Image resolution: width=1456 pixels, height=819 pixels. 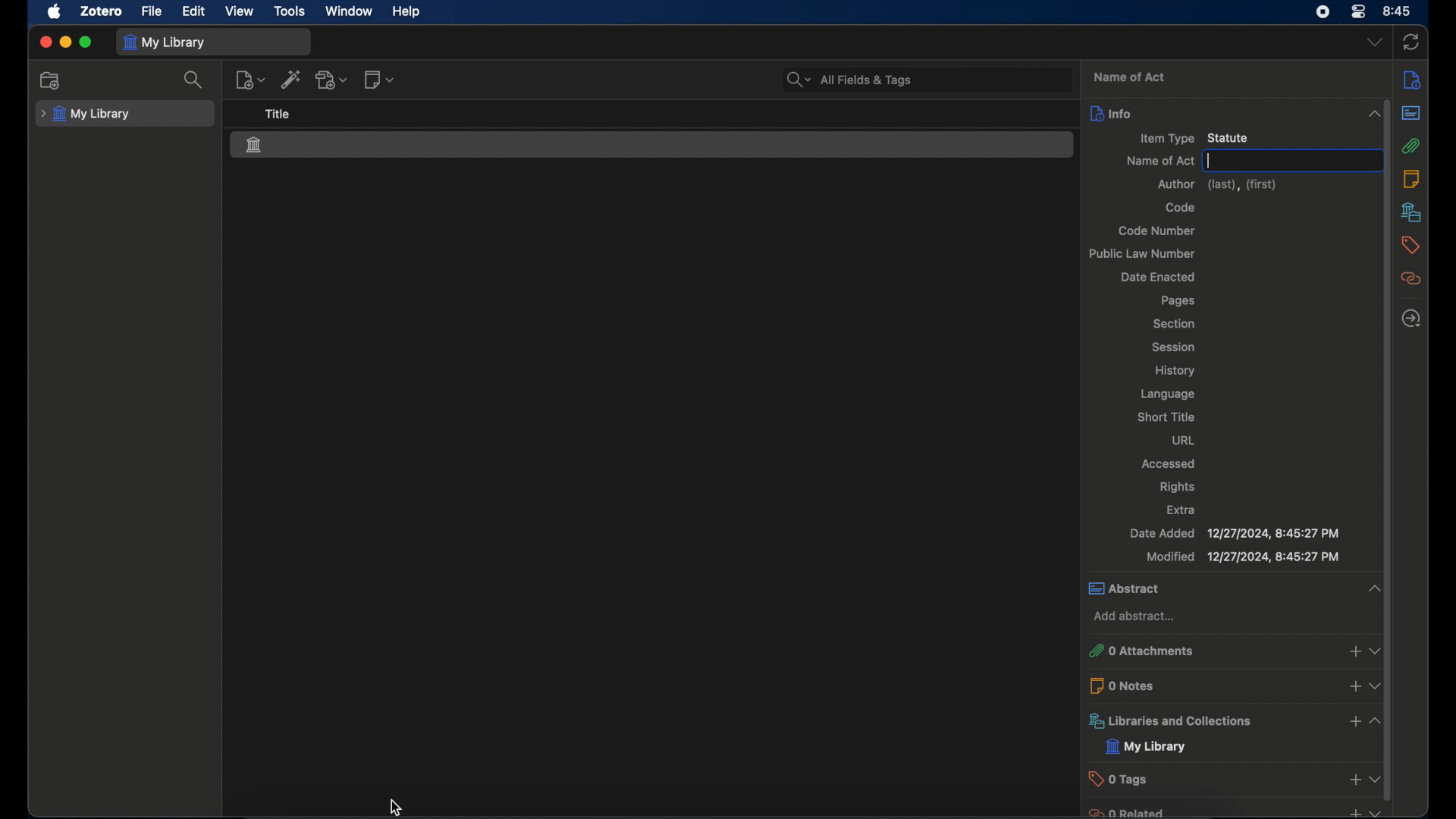 What do you see at coordinates (1353, 686) in the screenshot?
I see `add notes` at bounding box center [1353, 686].